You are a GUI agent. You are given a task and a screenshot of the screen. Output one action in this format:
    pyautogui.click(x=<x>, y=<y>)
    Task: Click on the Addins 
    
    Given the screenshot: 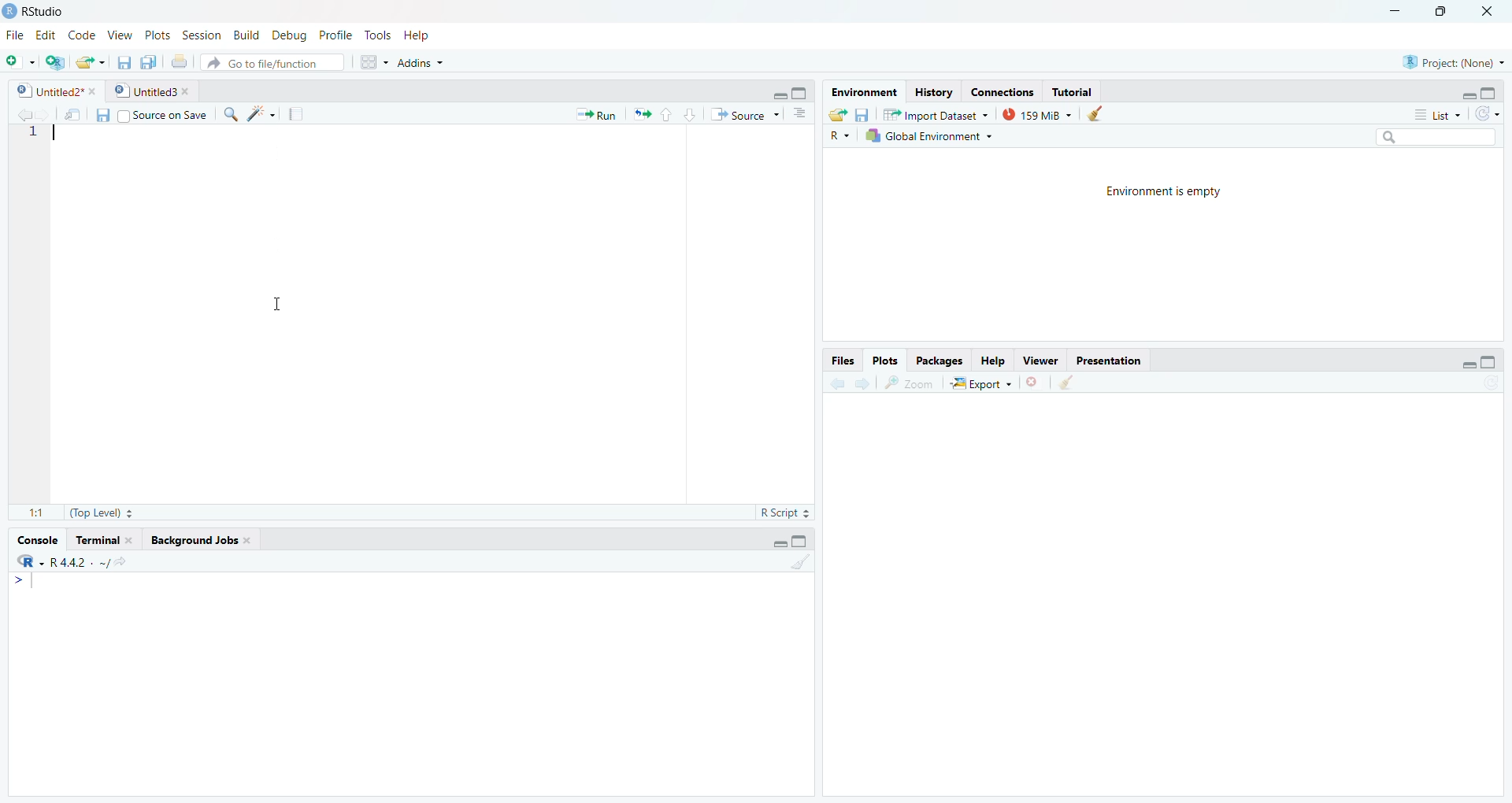 What is the action you would take?
    pyautogui.click(x=420, y=64)
    